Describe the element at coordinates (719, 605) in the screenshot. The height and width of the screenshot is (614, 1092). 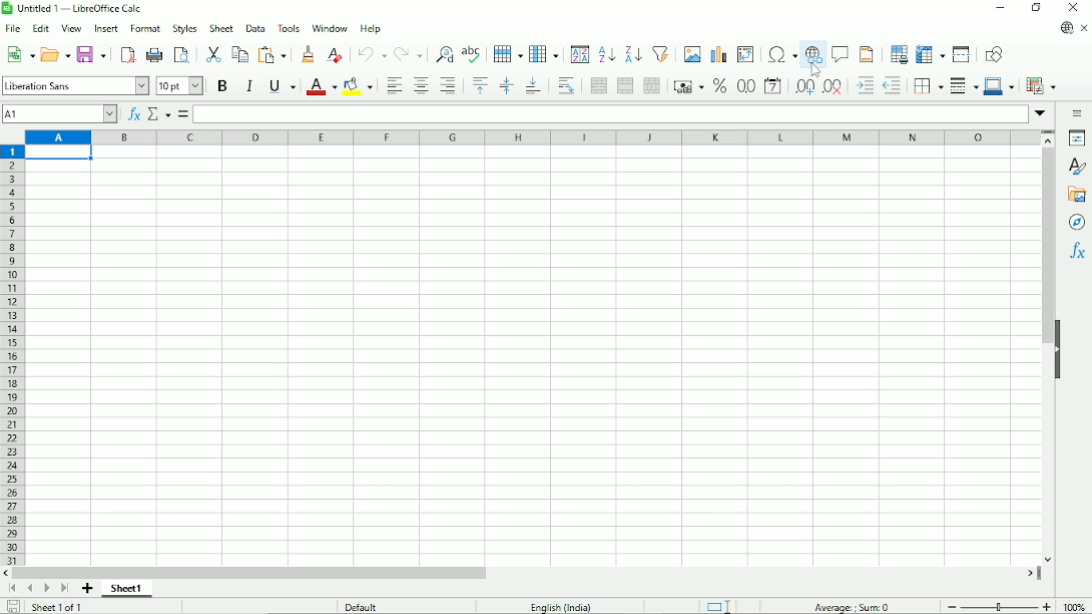
I see `Standard selection` at that location.